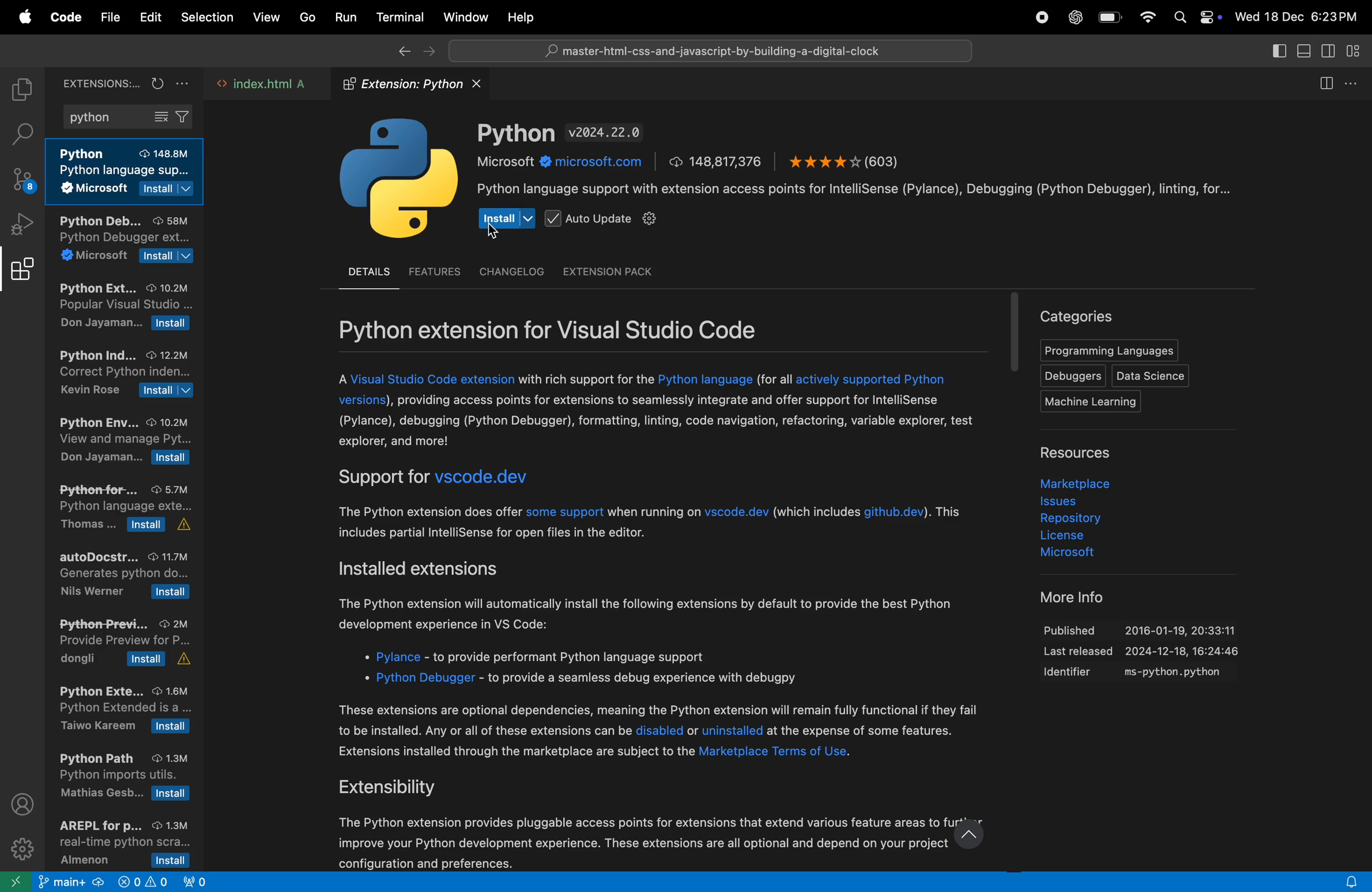 The height and width of the screenshot is (892, 1372). I want to click on resources, so click(1087, 453).